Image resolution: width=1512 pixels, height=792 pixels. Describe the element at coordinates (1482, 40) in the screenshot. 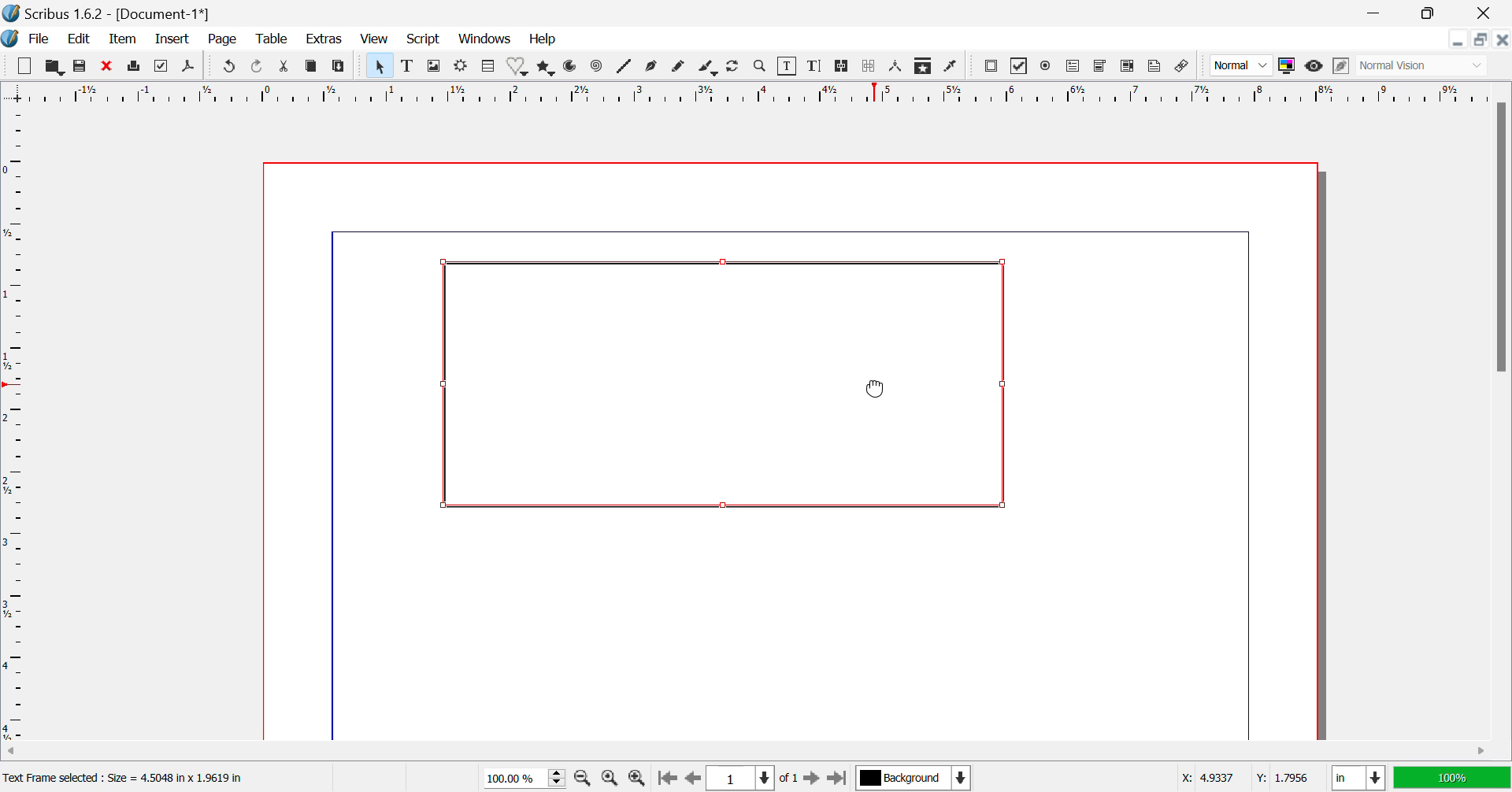

I see `Minimize` at that location.